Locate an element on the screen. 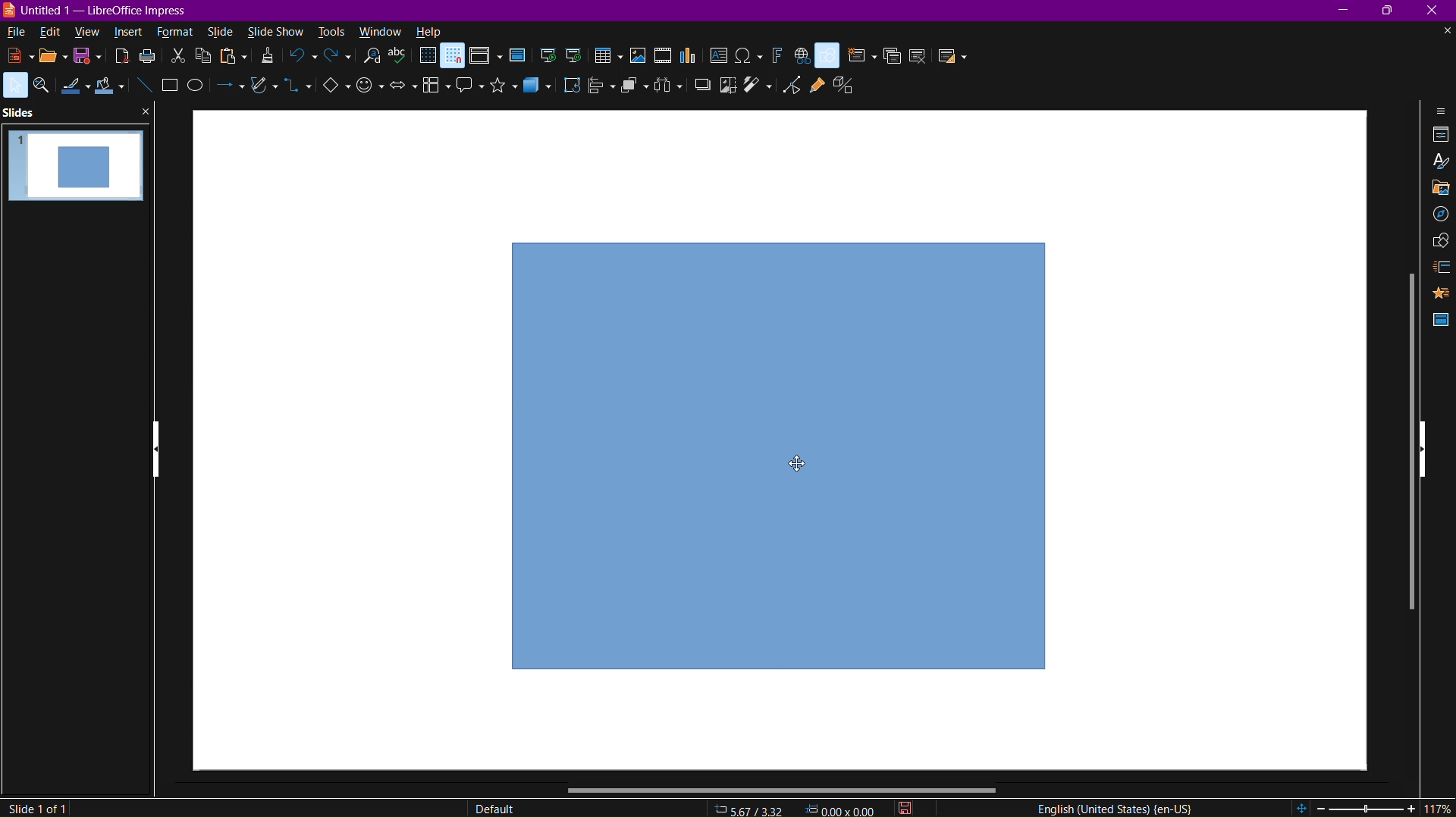 This screenshot has height=817, width=1456. zoom in is located at coordinates (1412, 808).